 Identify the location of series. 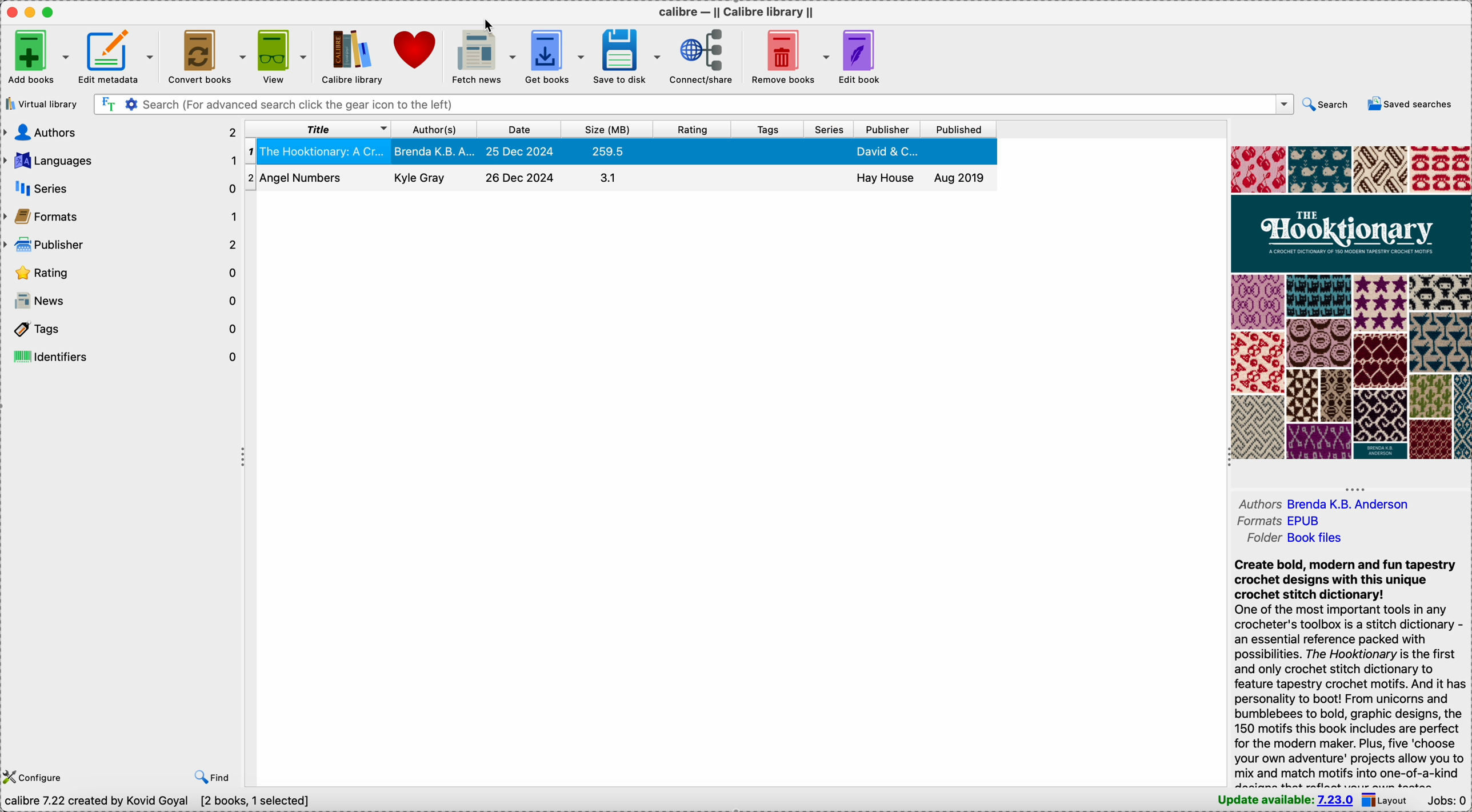
(119, 189).